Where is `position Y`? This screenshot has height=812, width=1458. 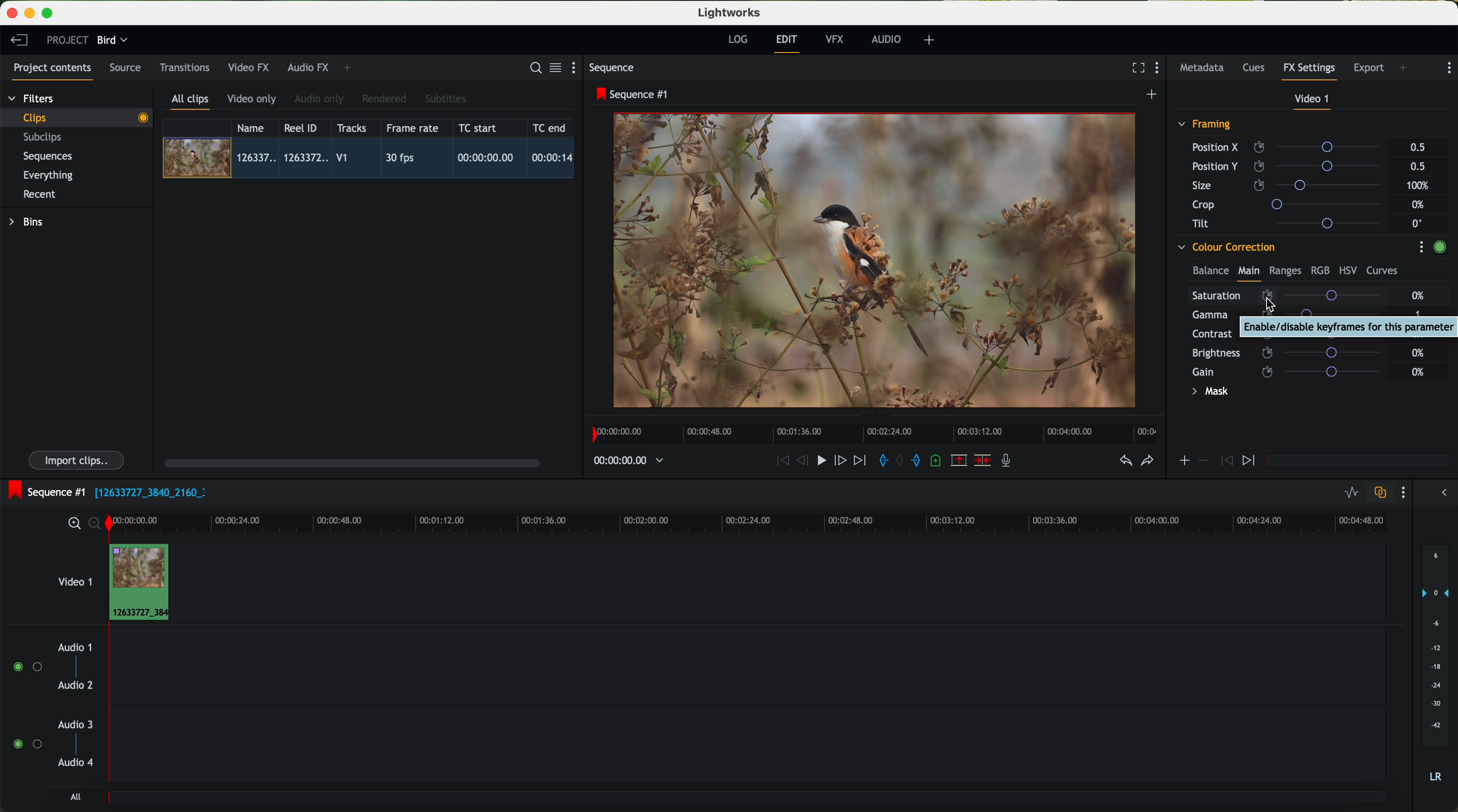 position Y is located at coordinates (1290, 166).